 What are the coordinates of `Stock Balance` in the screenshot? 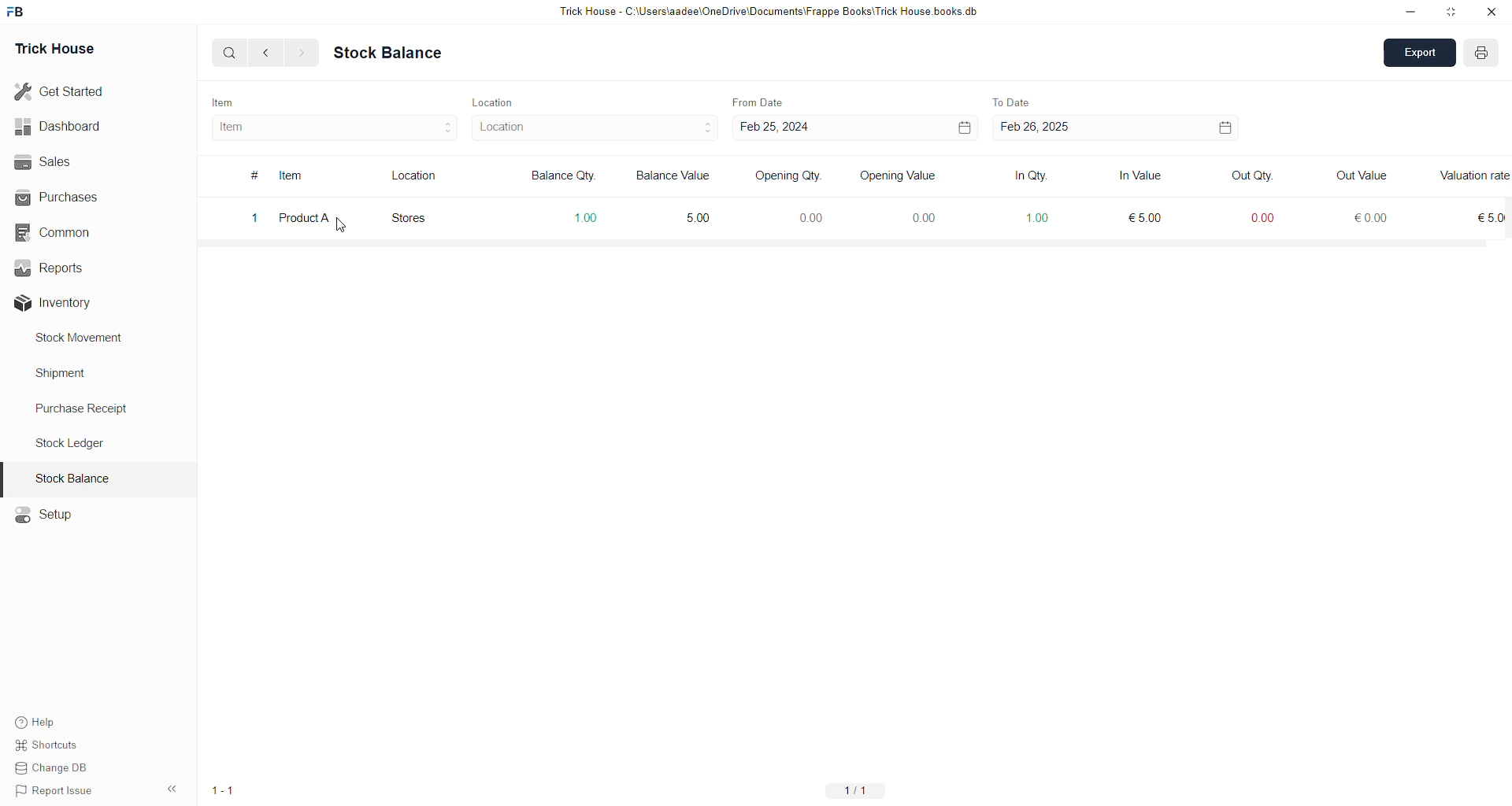 It's located at (76, 479).